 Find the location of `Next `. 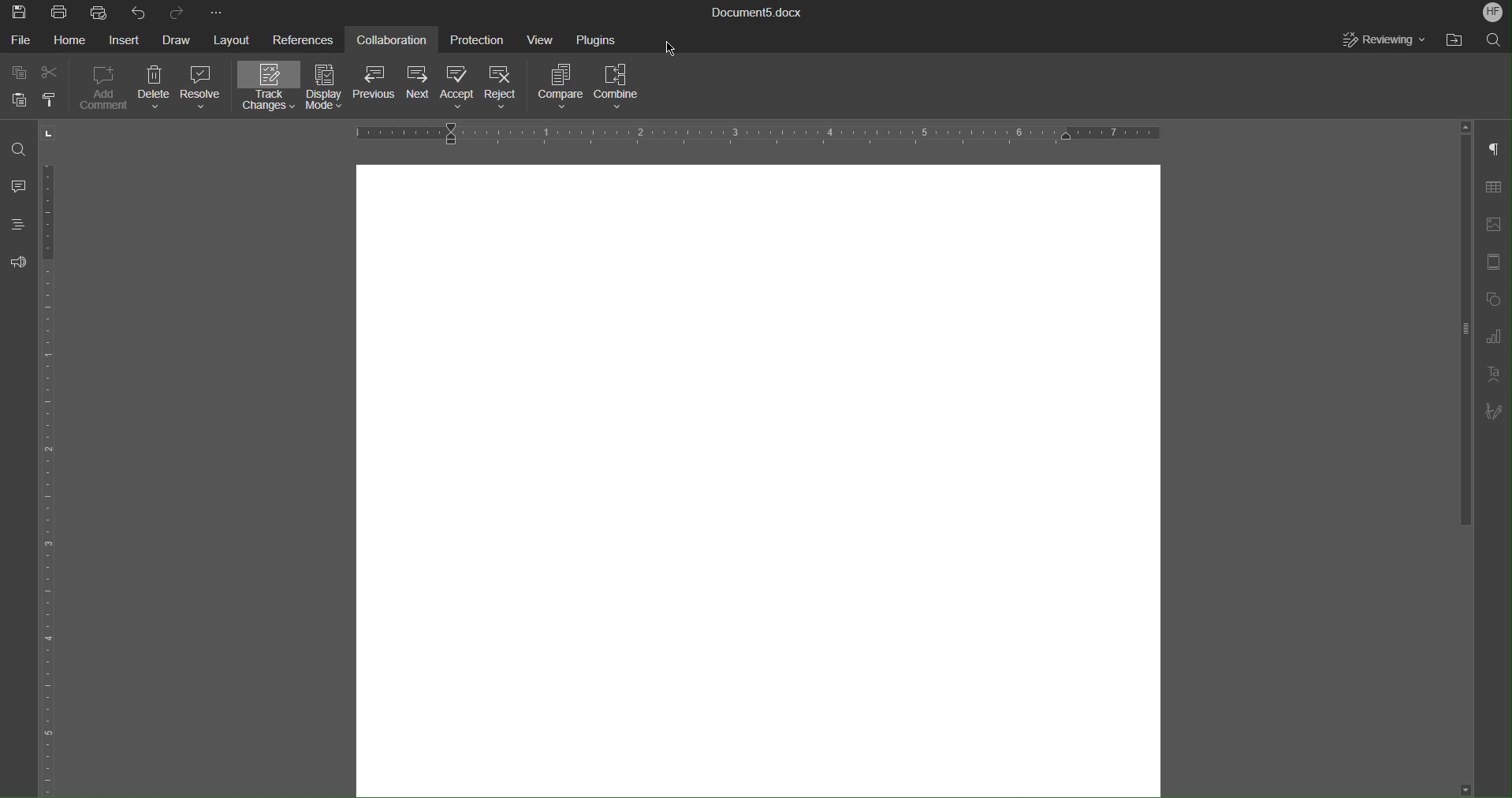

Next  is located at coordinates (421, 88).